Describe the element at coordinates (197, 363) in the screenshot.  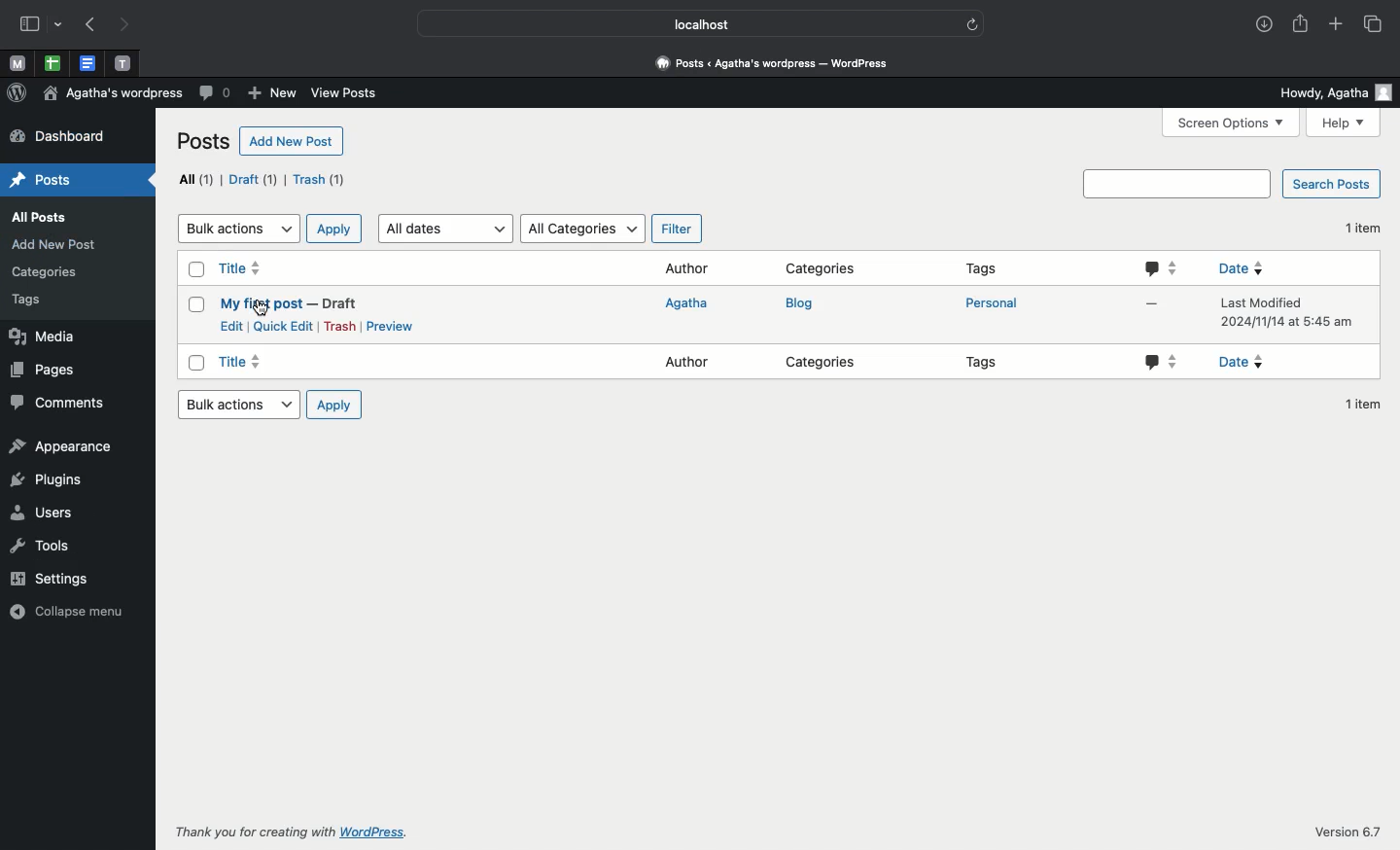
I see `checkbox` at that location.